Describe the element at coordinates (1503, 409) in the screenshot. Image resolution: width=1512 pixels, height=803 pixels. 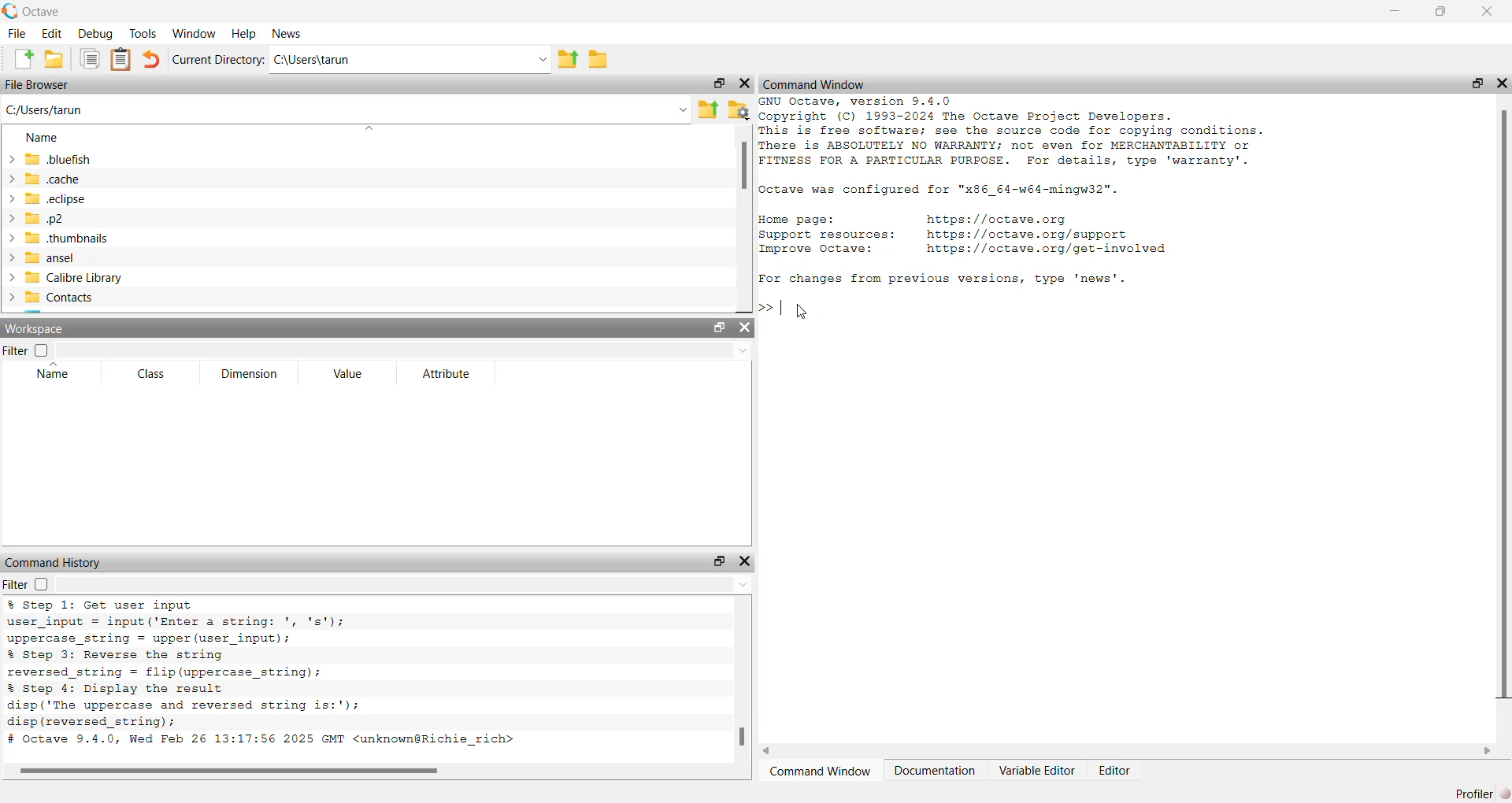
I see `scrollbar` at that location.